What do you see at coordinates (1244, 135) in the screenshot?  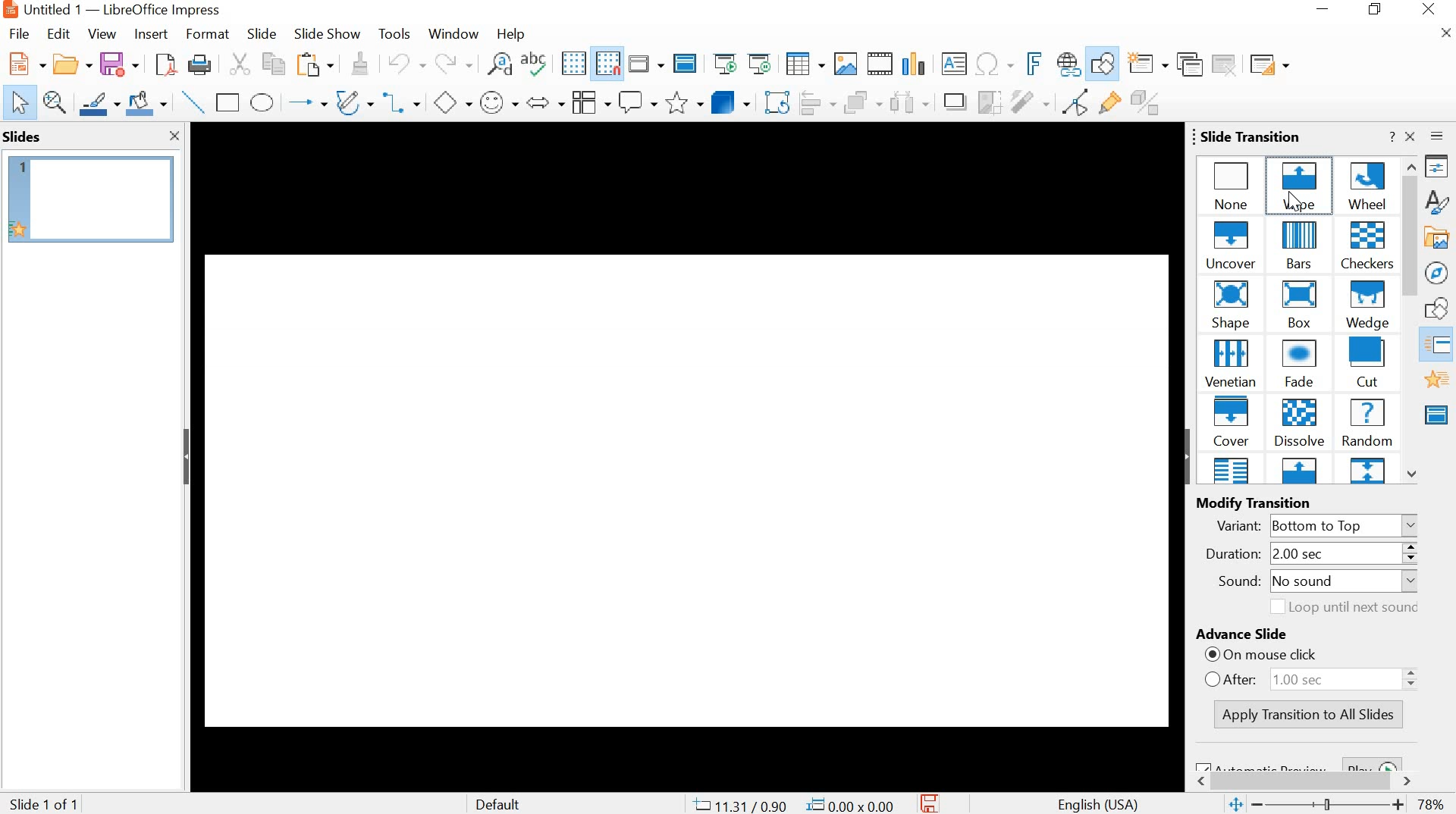 I see `slide transition` at bounding box center [1244, 135].